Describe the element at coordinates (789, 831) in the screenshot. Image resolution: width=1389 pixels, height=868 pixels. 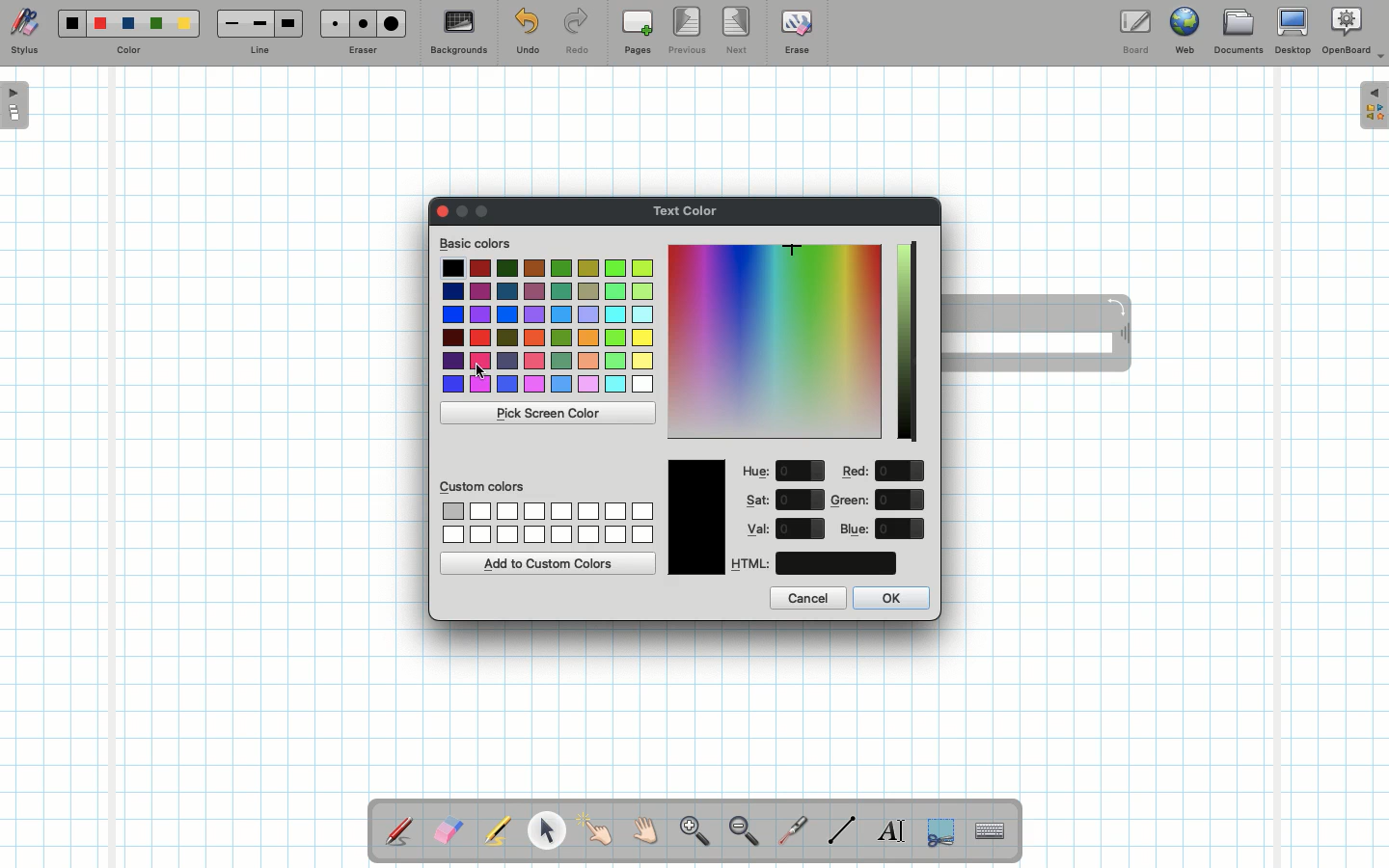
I see `Laser pointer` at that location.